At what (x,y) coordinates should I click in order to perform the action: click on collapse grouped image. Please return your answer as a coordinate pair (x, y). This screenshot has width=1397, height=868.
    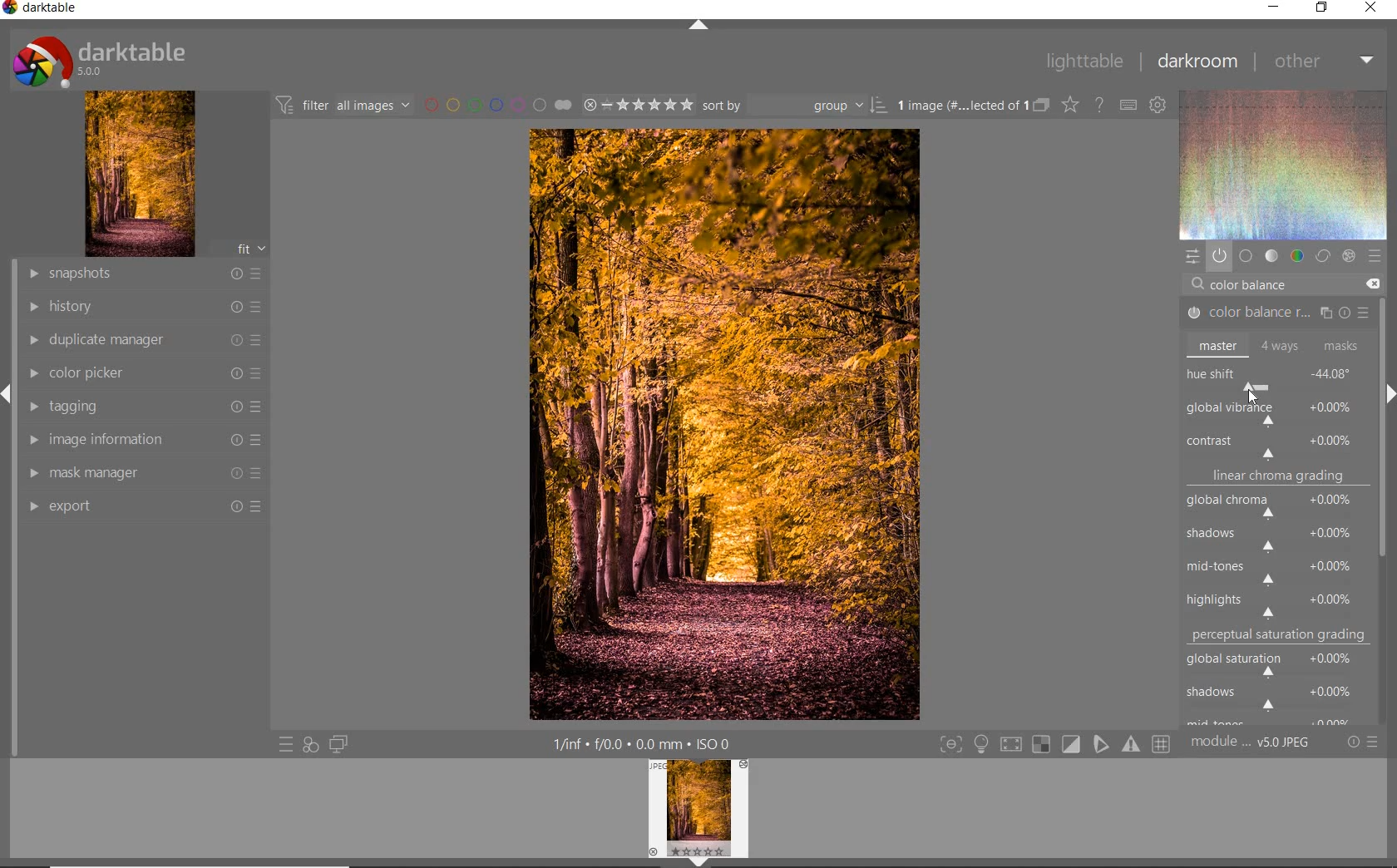
    Looking at the image, I should click on (1041, 106).